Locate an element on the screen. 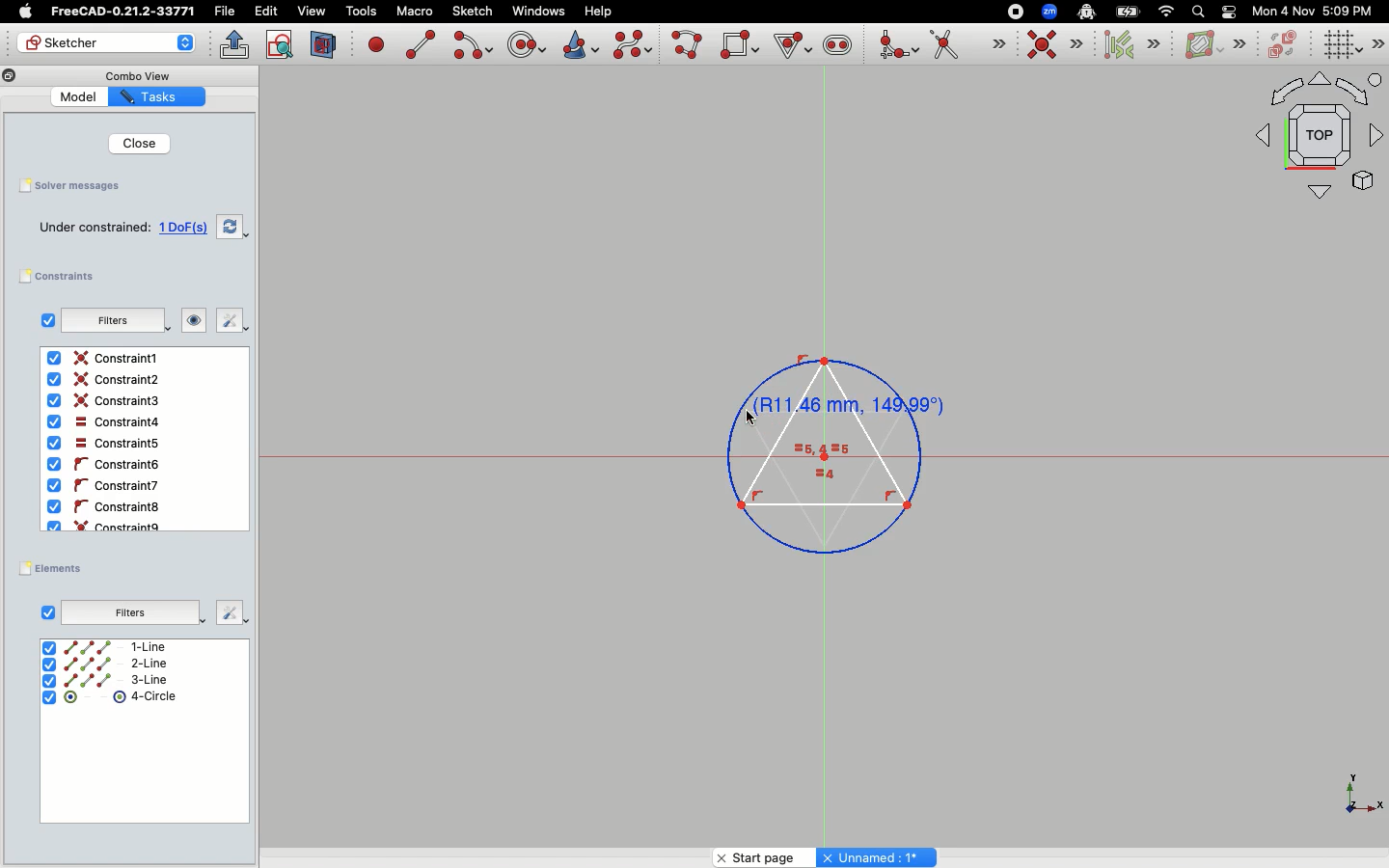  Constraint5 is located at coordinates (103, 444).